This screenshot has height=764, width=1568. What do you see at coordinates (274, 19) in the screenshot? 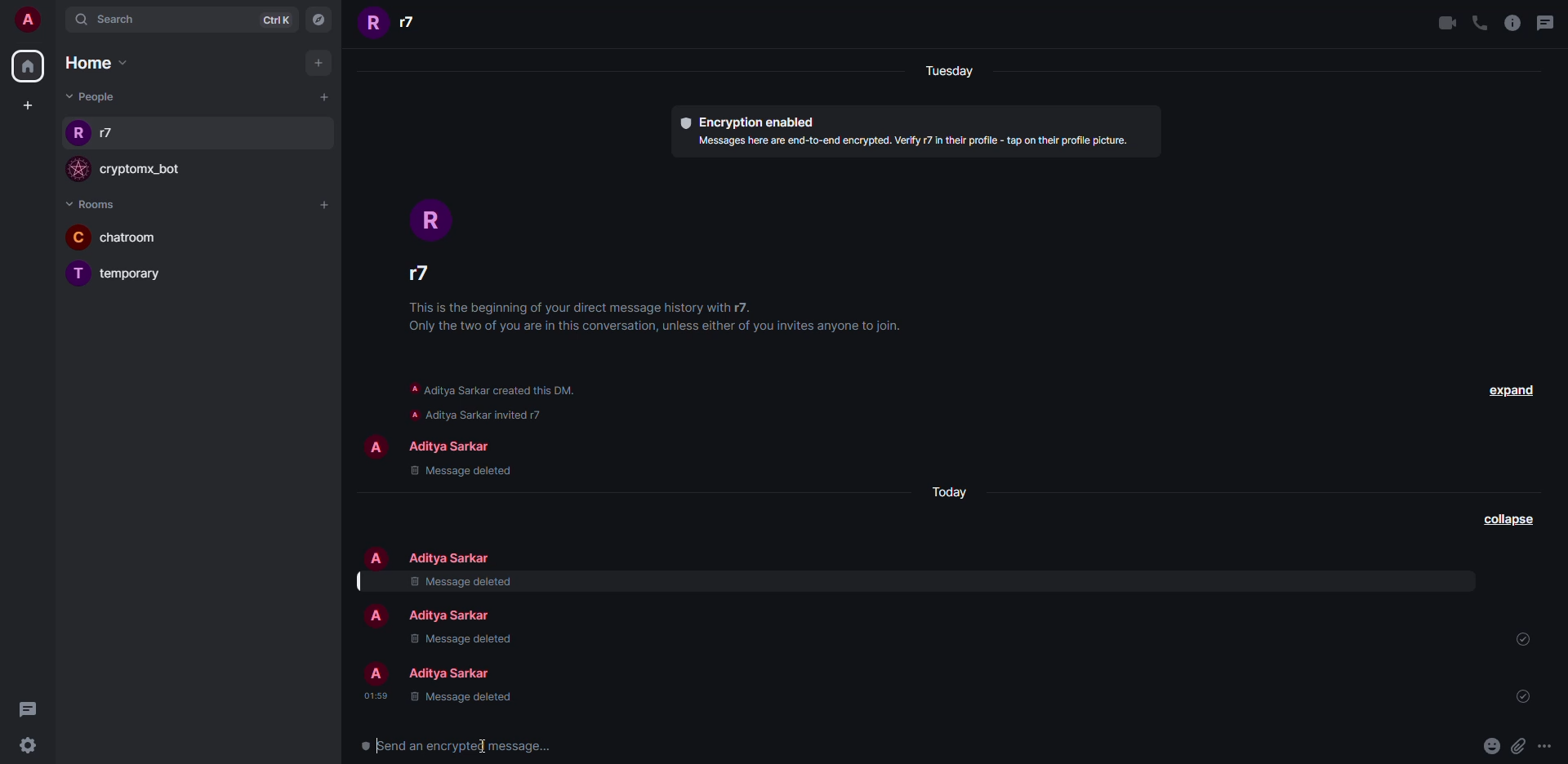
I see `ctrlK` at bounding box center [274, 19].